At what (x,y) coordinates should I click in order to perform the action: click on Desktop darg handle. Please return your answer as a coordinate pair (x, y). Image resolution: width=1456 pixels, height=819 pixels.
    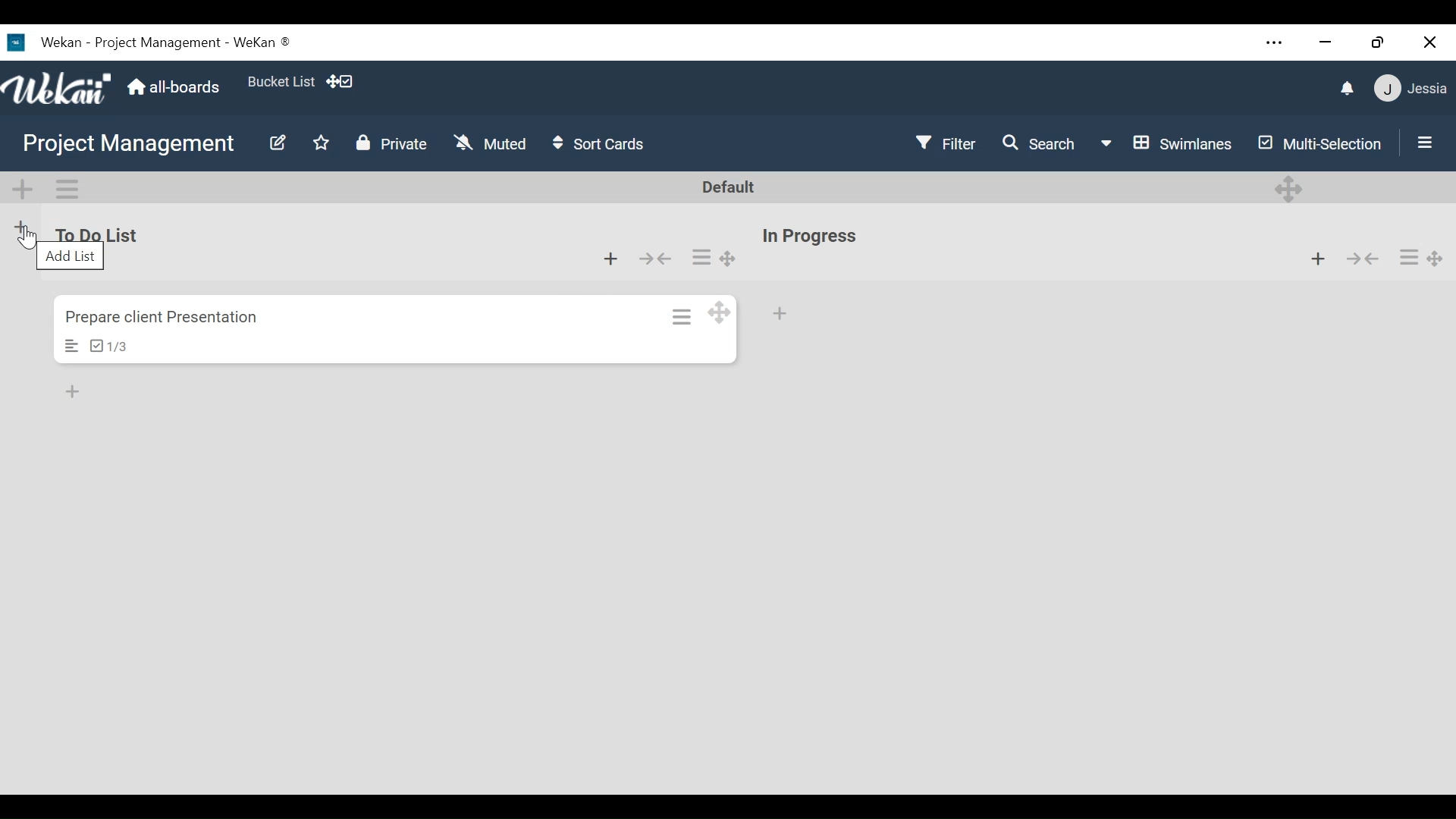
    Looking at the image, I should click on (1291, 189).